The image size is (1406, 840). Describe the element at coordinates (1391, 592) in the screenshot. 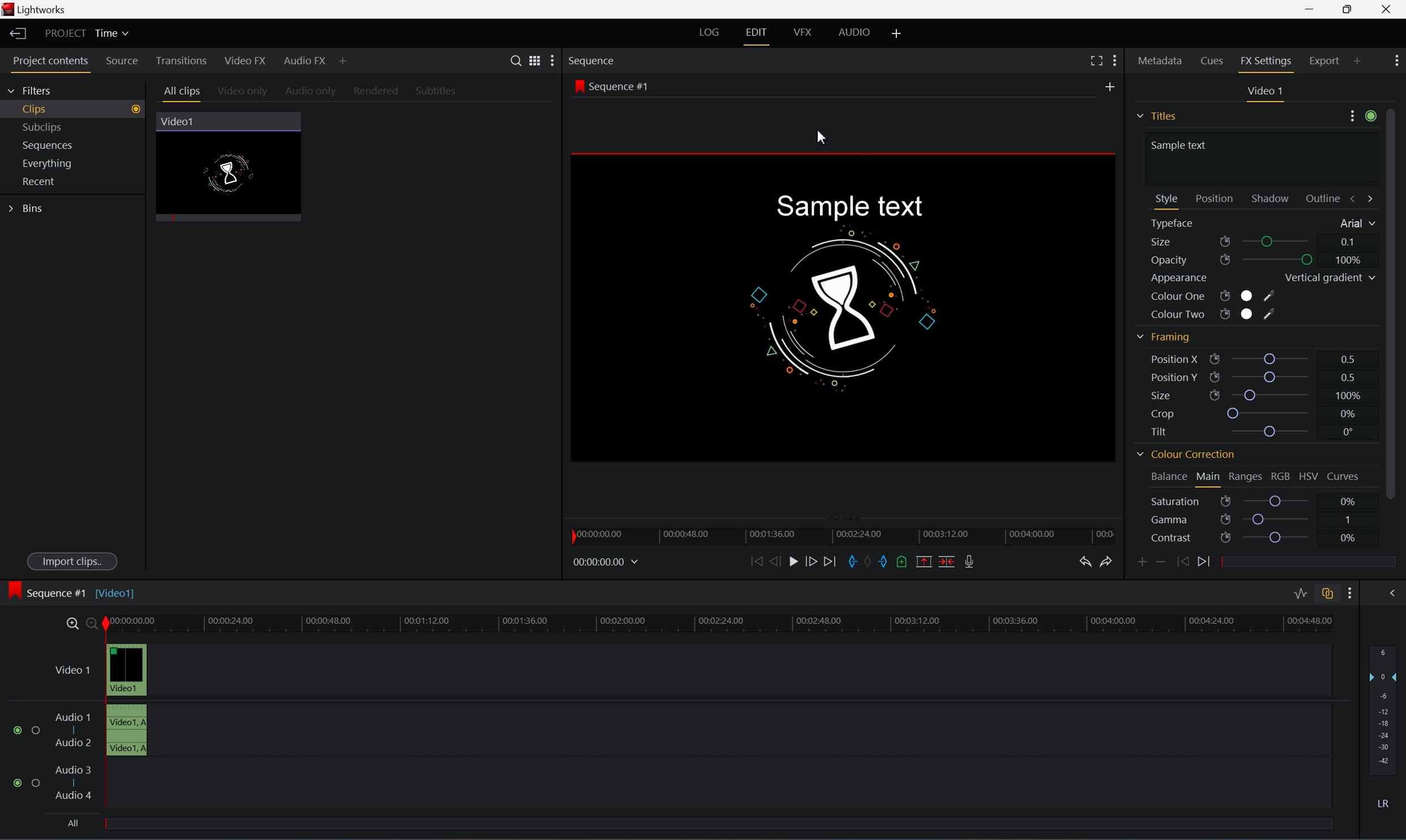

I see `slide` at that location.